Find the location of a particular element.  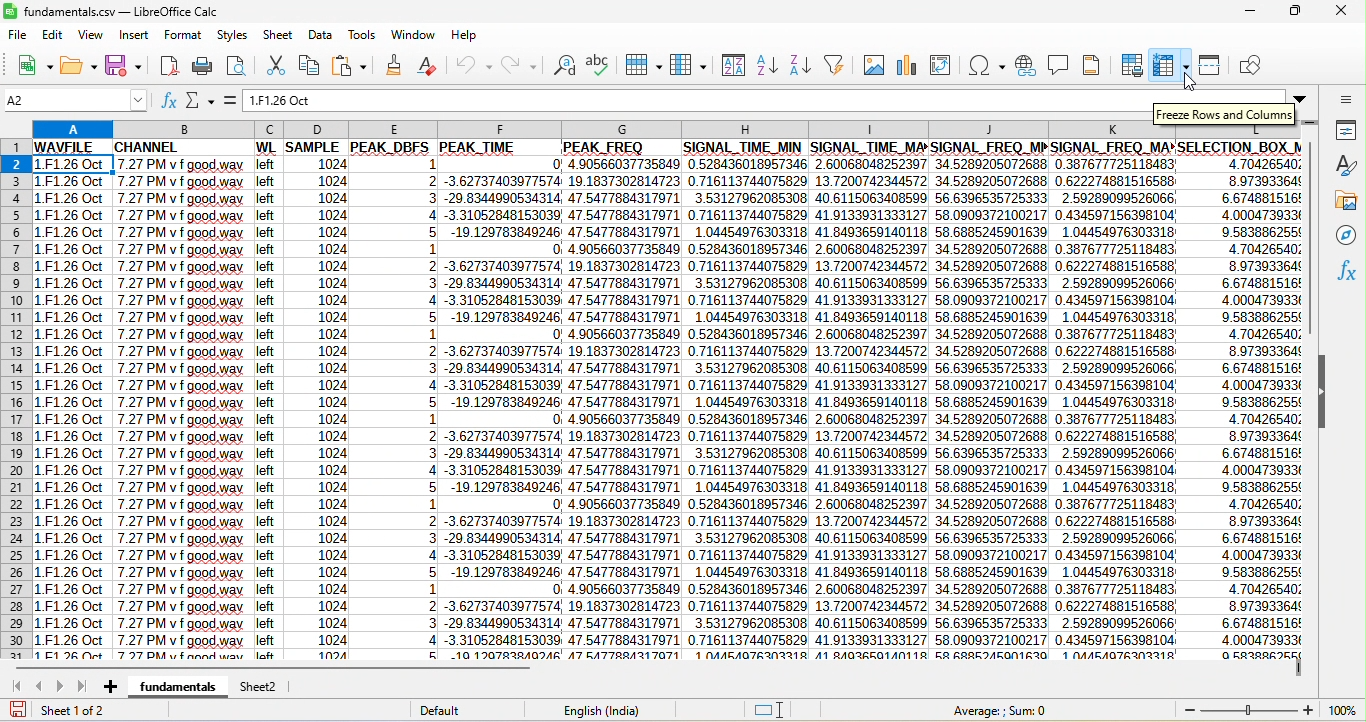

pivot table is located at coordinates (940, 65).